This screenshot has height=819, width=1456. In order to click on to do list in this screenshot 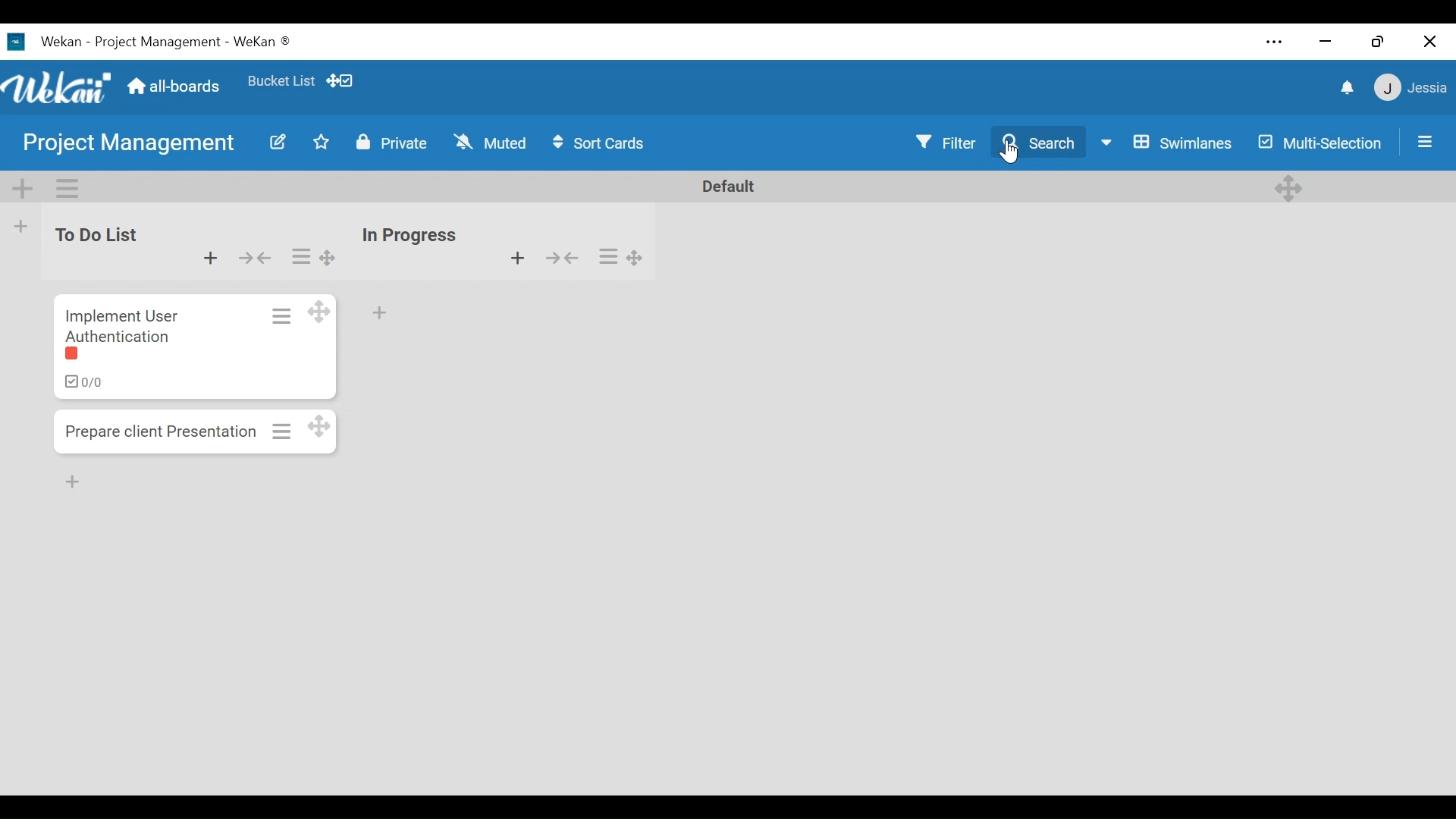, I will do `click(103, 227)`.